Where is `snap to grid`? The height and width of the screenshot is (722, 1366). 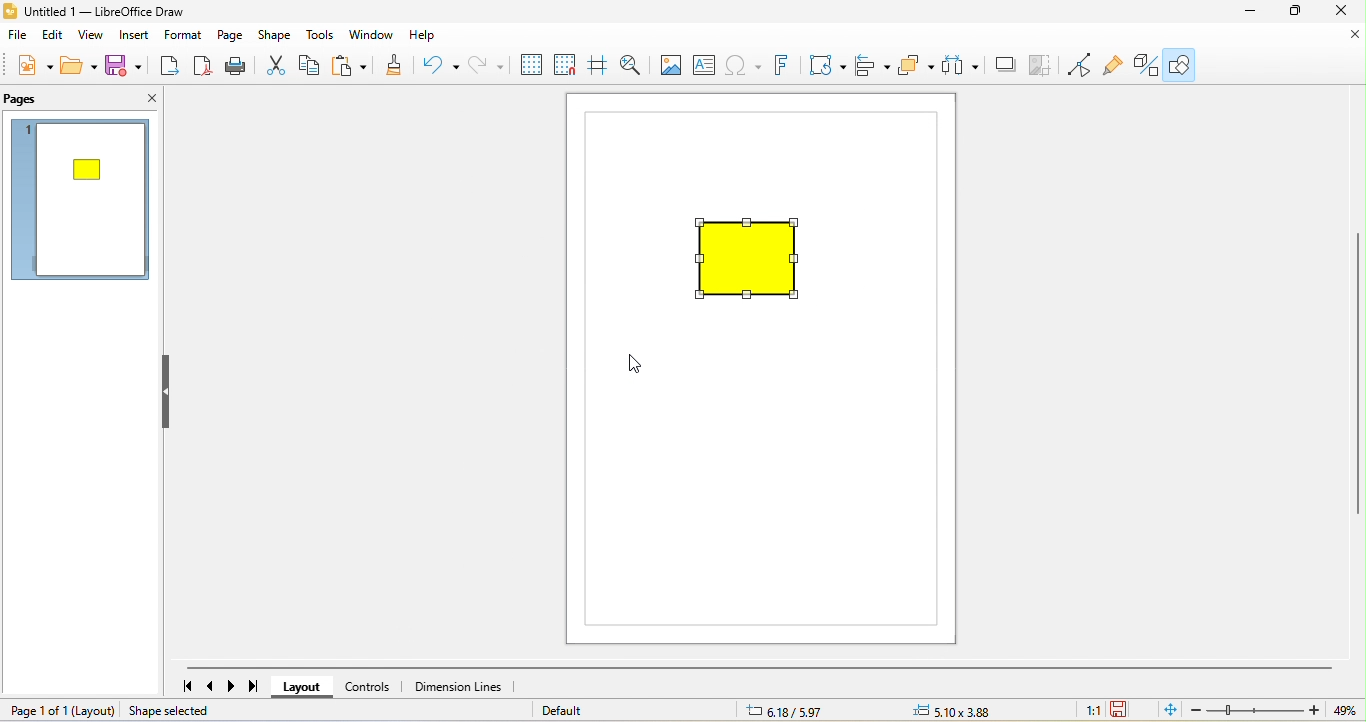
snap to grid is located at coordinates (568, 65).